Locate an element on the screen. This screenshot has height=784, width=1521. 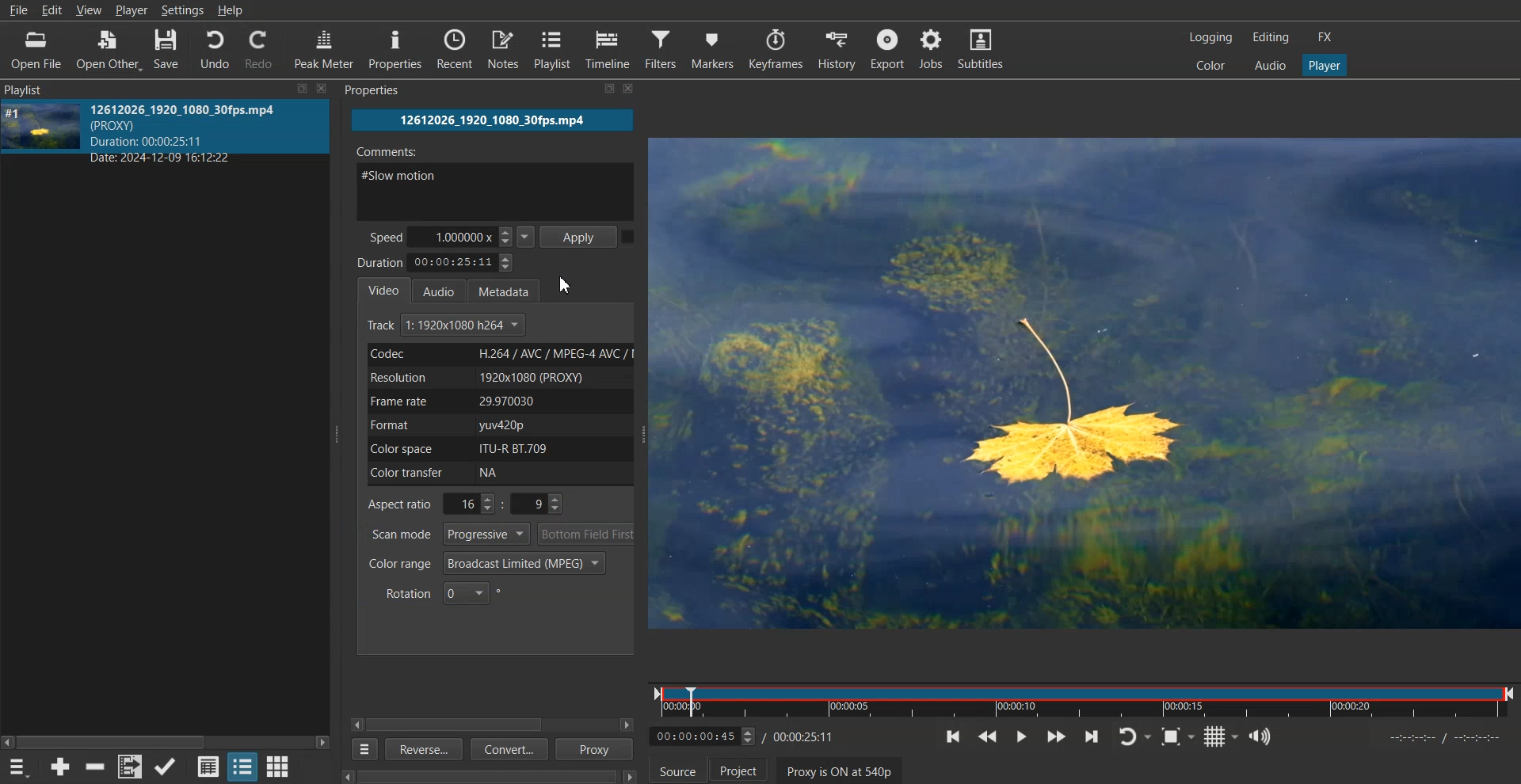
Logging is located at coordinates (1211, 37).